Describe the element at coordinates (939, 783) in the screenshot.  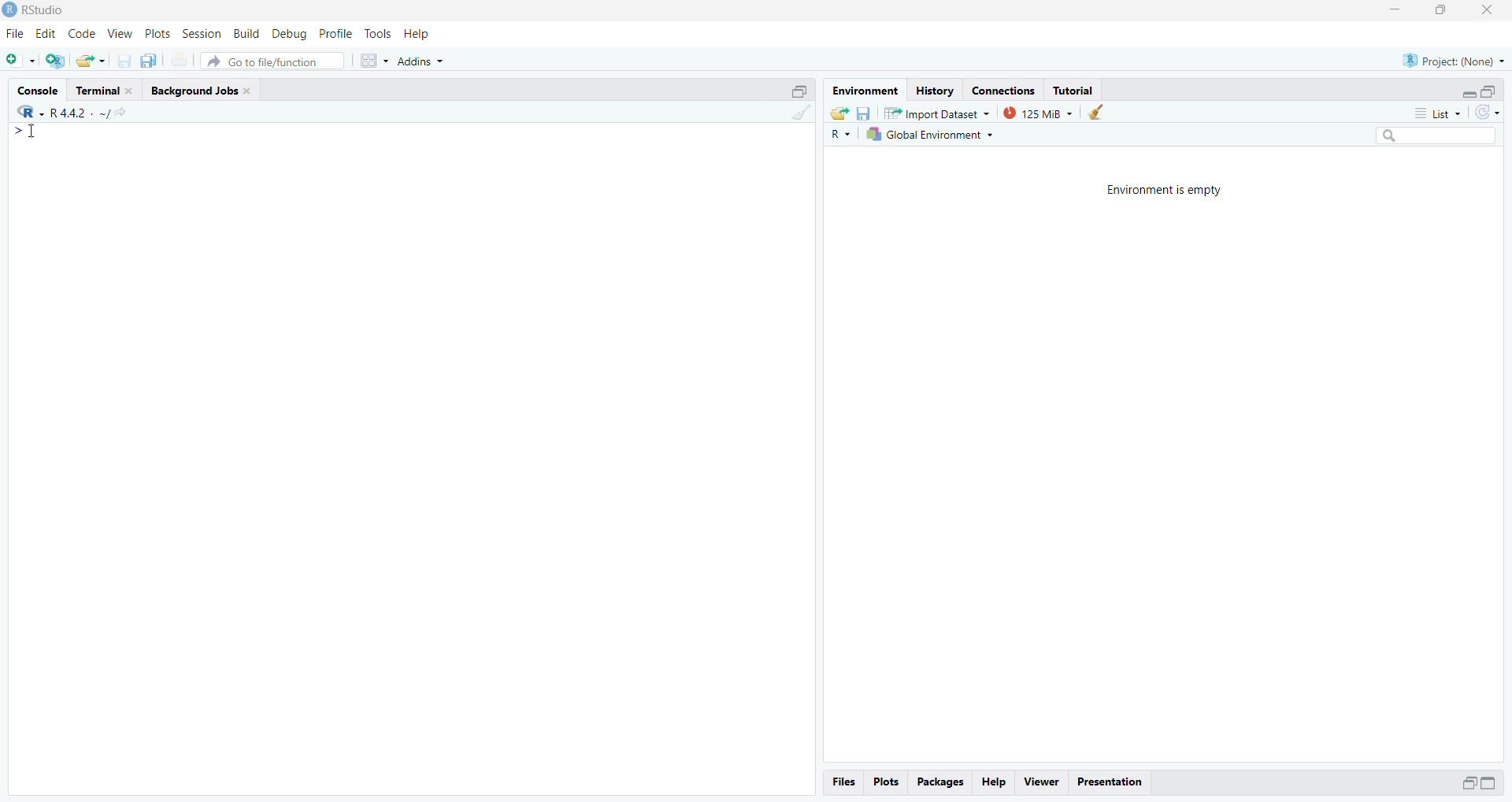
I see `packages` at that location.